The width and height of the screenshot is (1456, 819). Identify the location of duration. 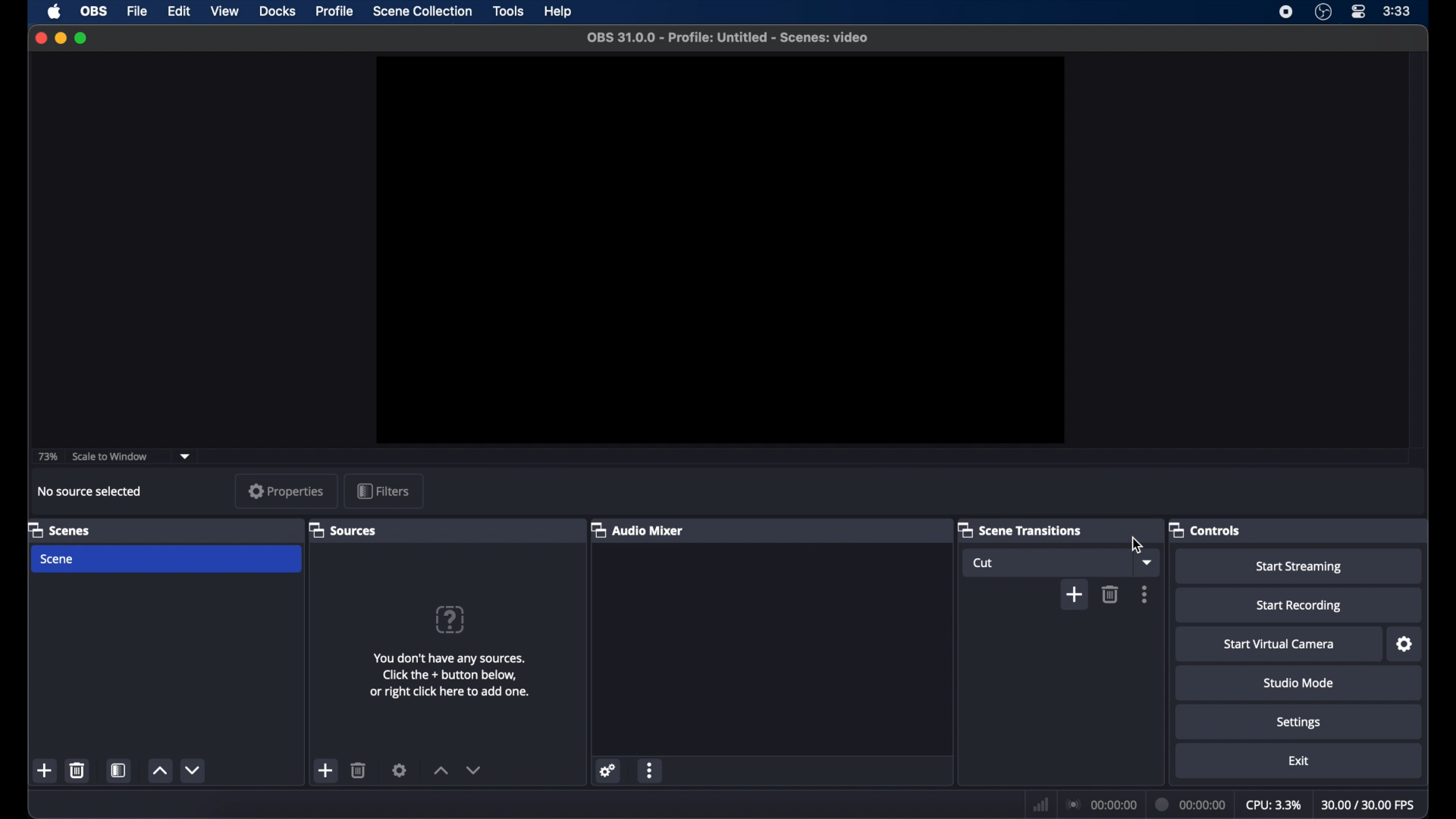
(1192, 802).